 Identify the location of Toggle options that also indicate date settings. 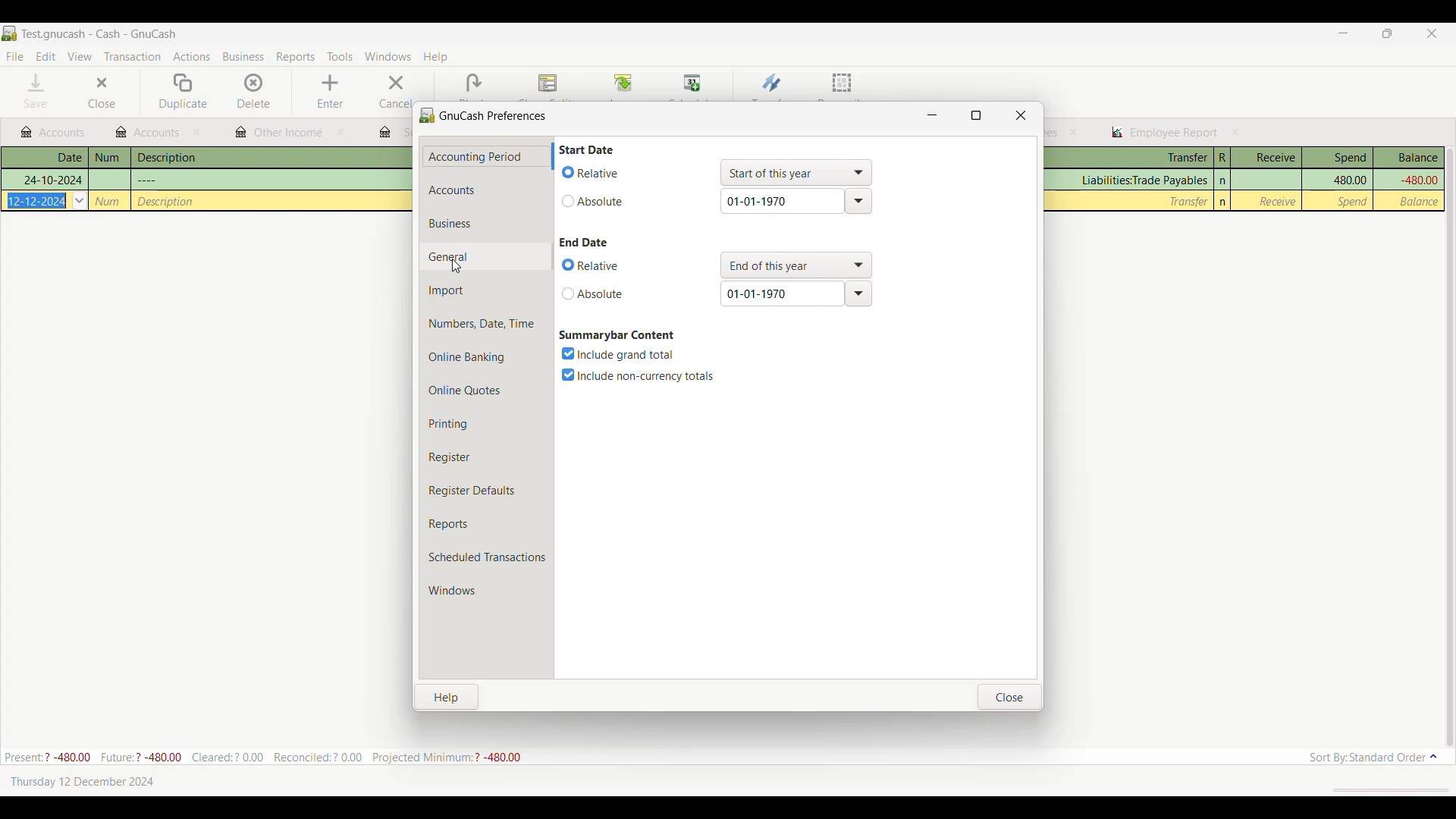
(593, 293).